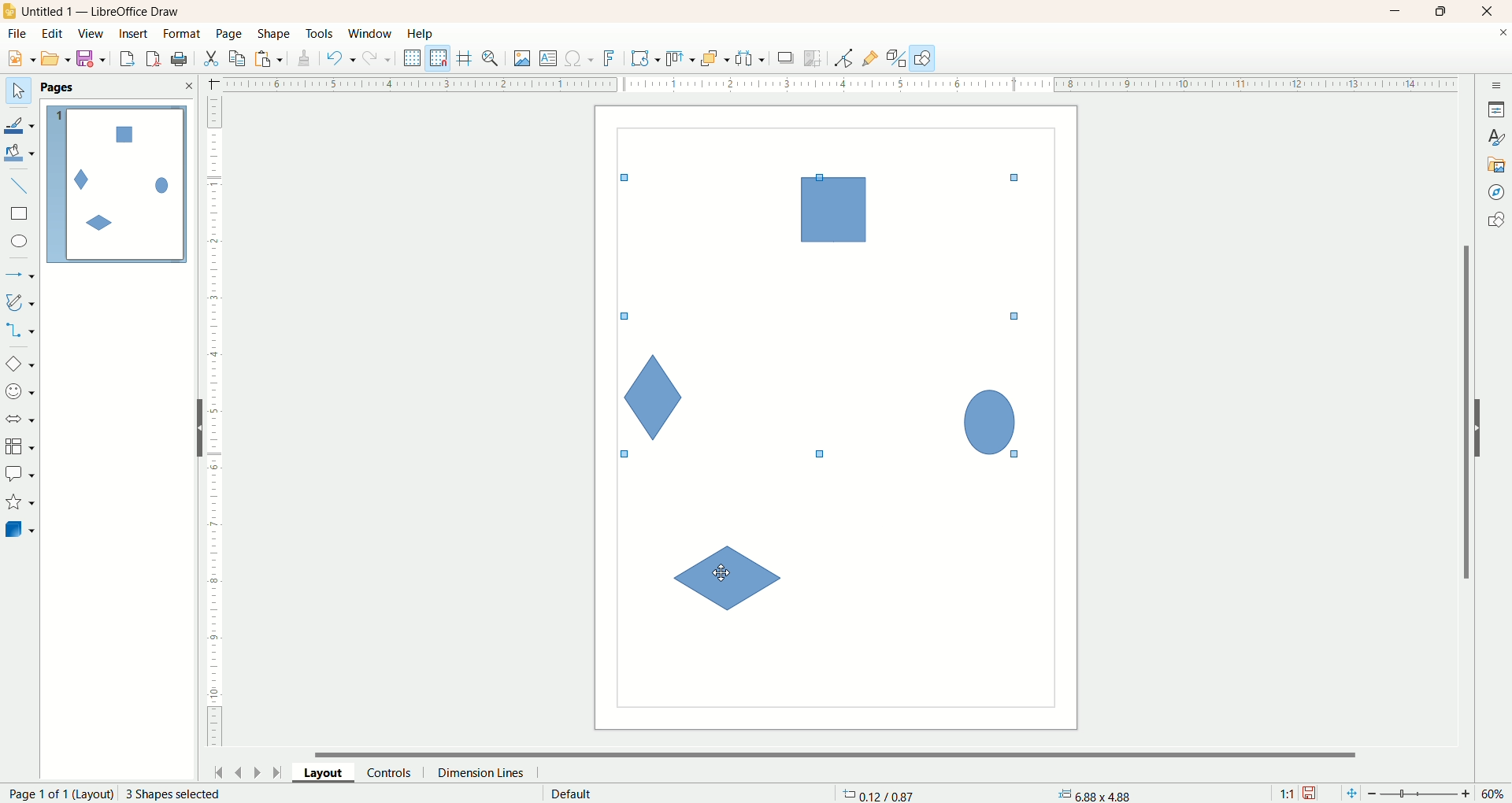 The height and width of the screenshot is (803, 1512). What do you see at coordinates (231, 33) in the screenshot?
I see `page` at bounding box center [231, 33].